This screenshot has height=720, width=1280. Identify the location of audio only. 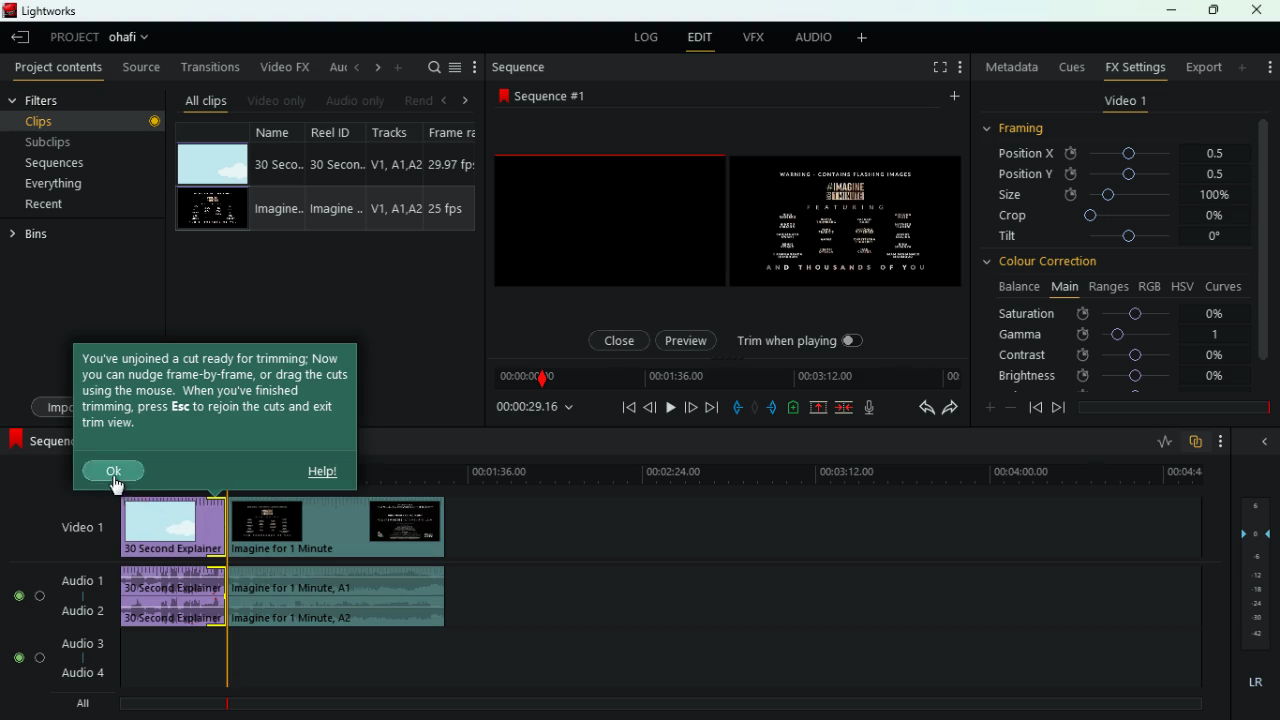
(354, 102).